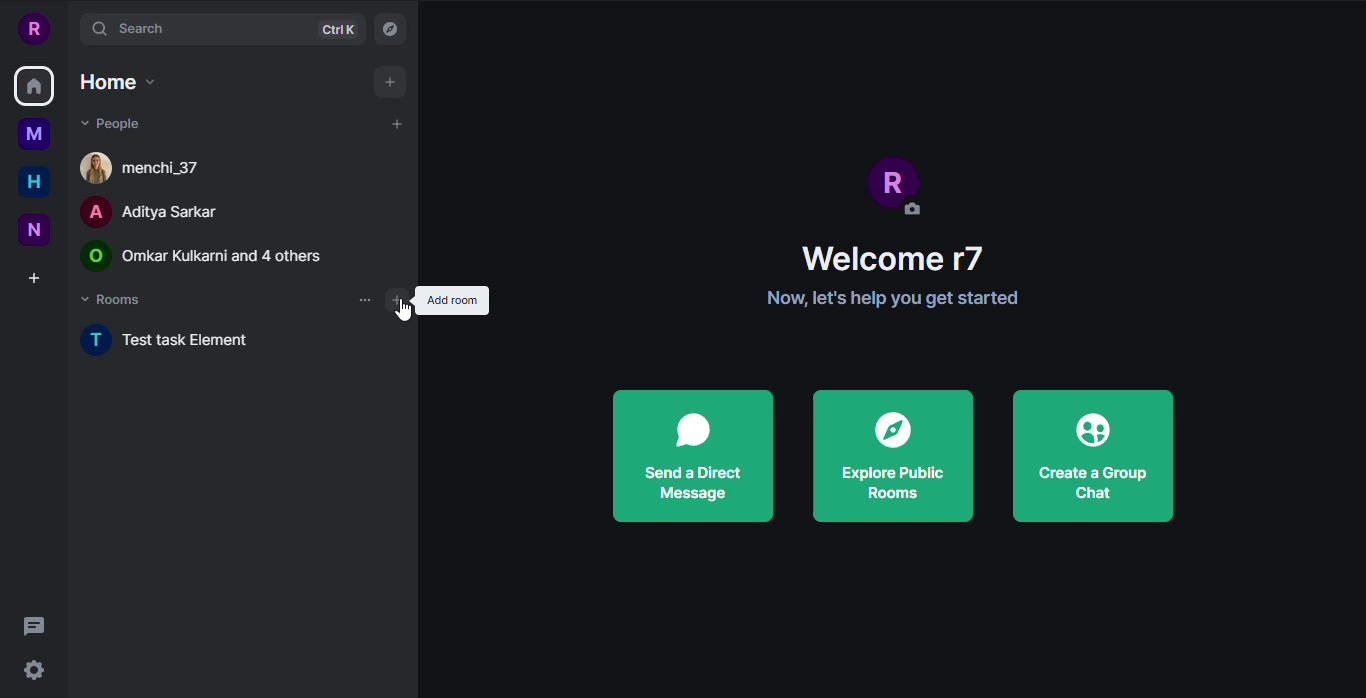  What do you see at coordinates (32, 88) in the screenshot?
I see `home` at bounding box center [32, 88].